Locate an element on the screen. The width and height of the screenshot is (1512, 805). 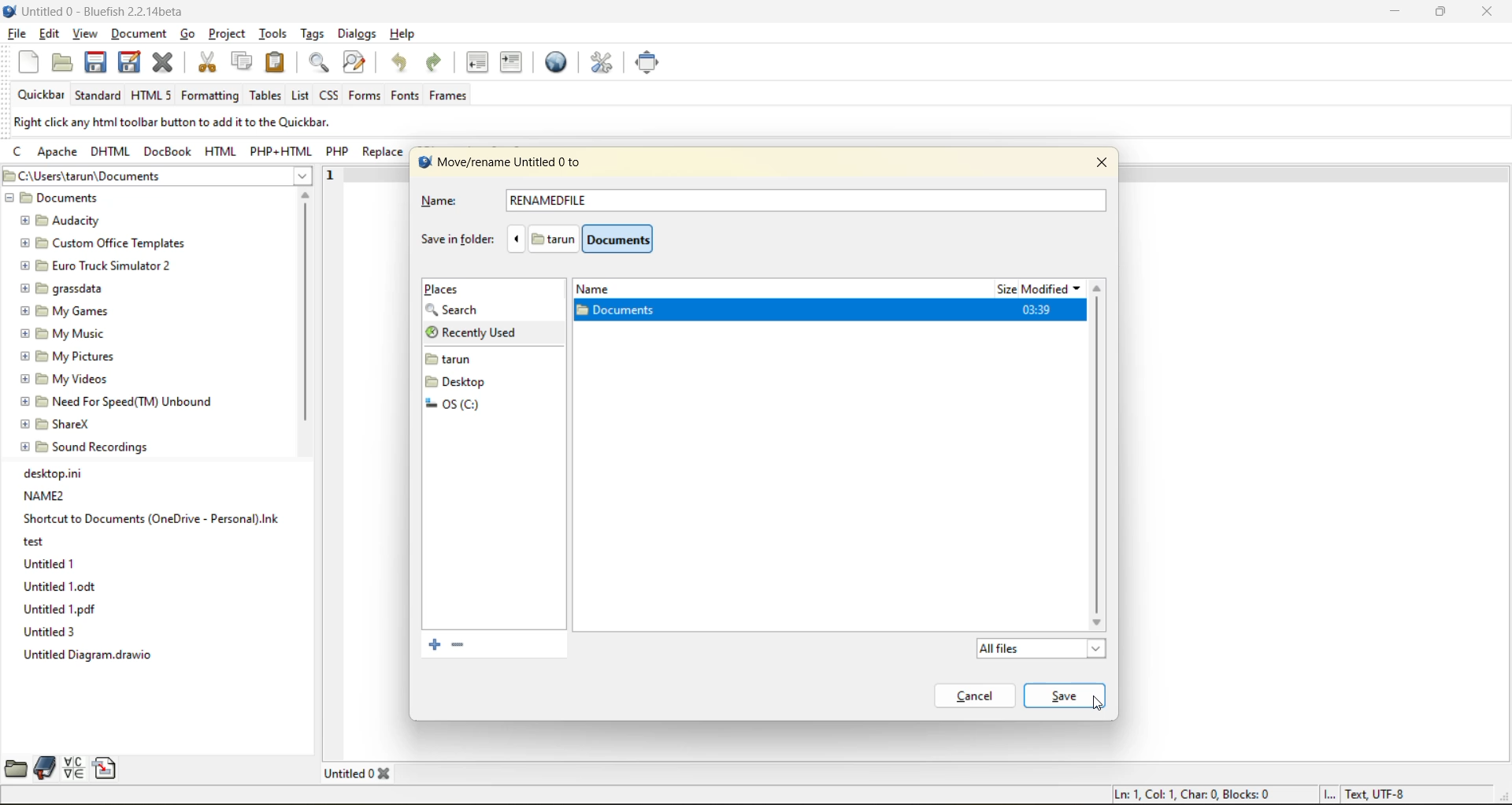
frames is located at coordinates (456, 98).